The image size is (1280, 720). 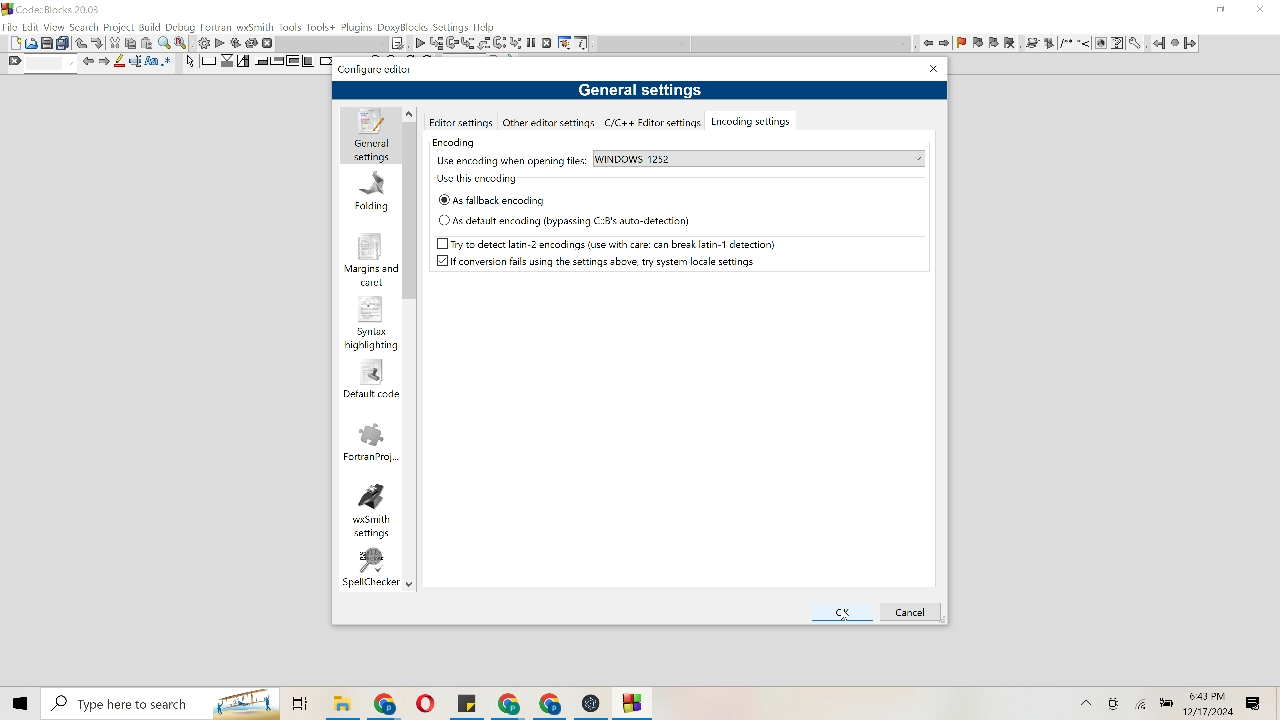 I want to click on Debug, so click(x=180, y=27).